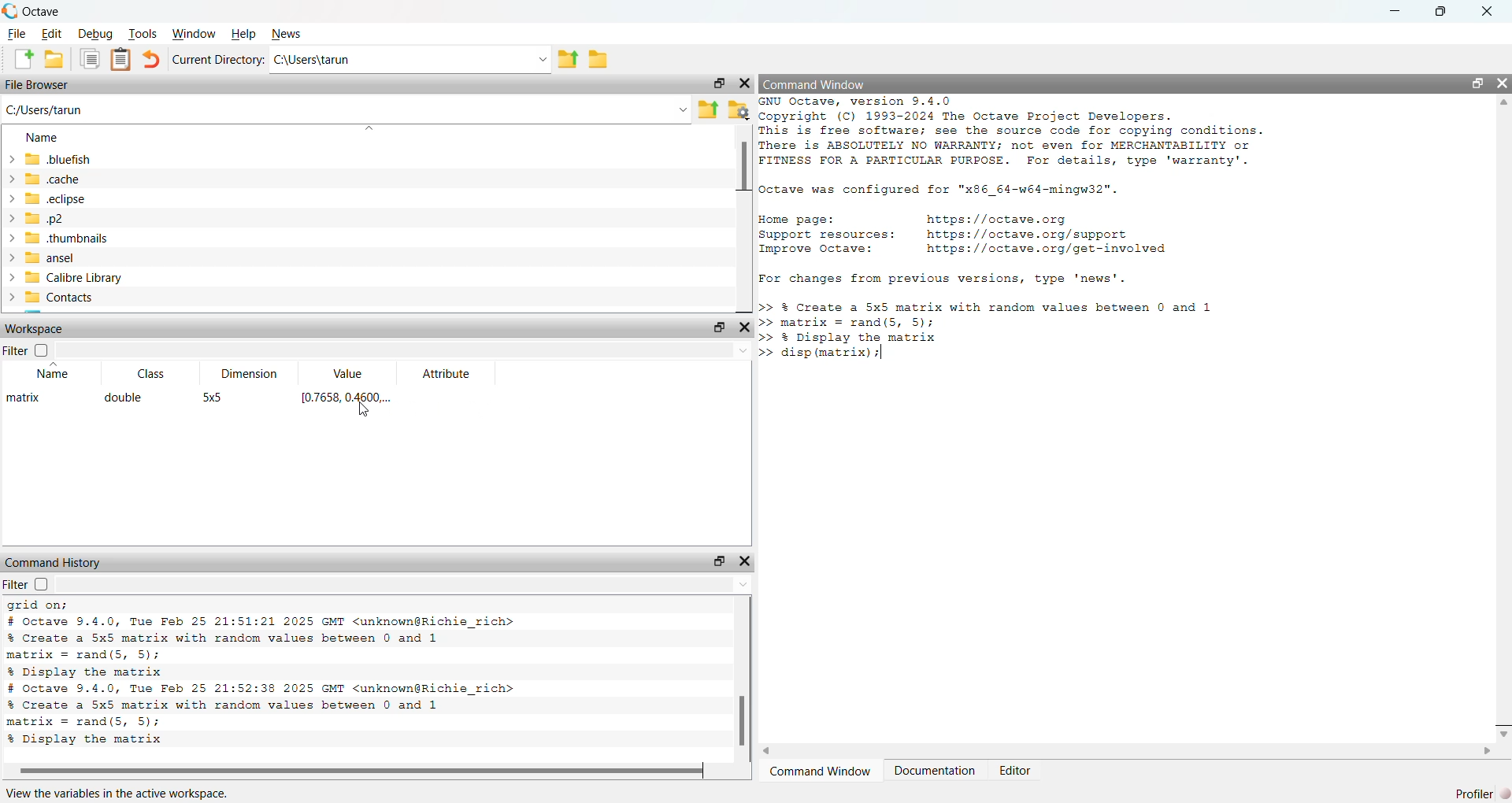  I want to click on Name, so click(46, 139).